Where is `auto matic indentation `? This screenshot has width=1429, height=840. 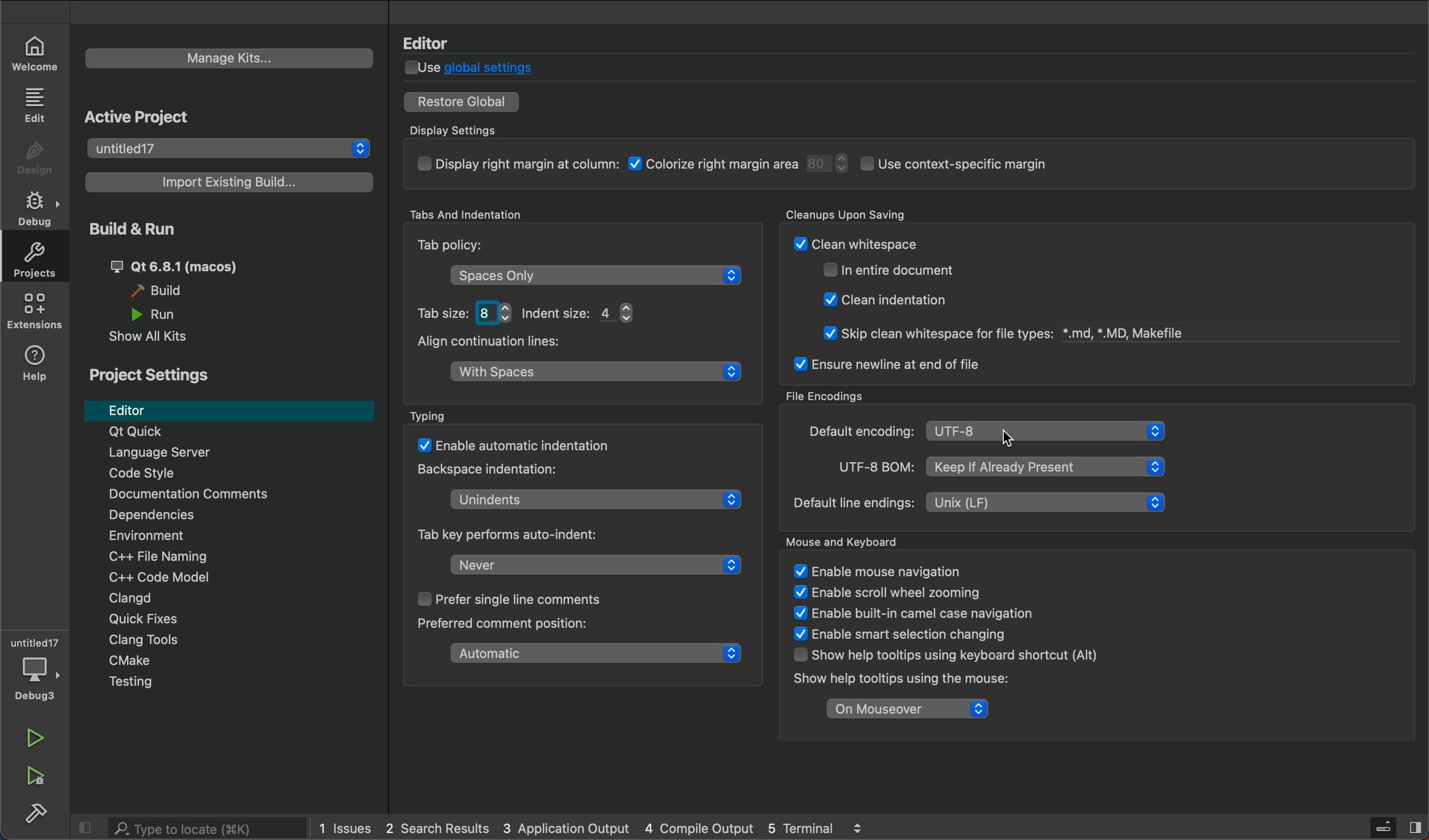 auto matic indentation  is located at coordinates (515, 444).